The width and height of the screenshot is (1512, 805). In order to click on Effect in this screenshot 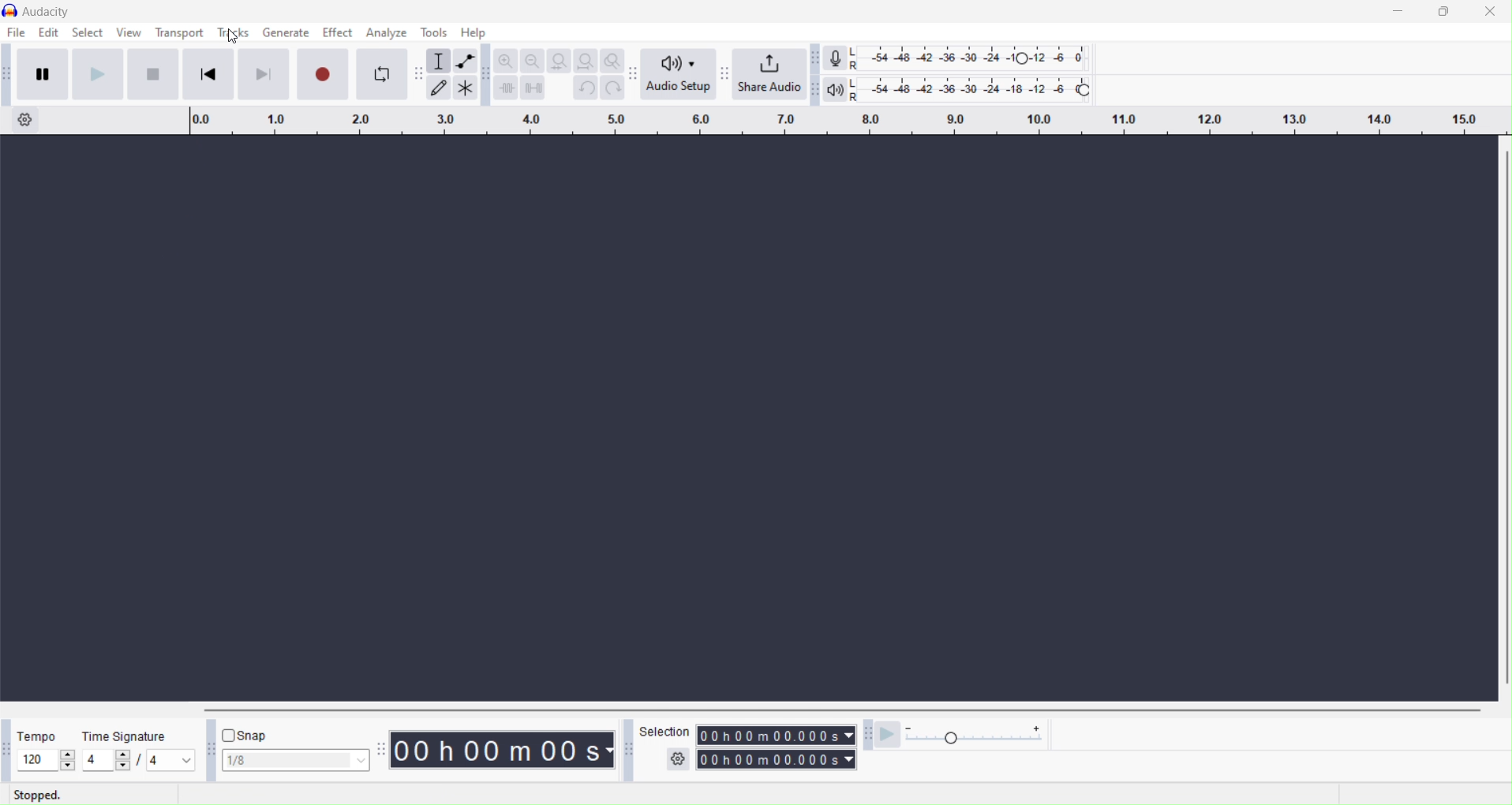, I will do `click(334, 32)`.